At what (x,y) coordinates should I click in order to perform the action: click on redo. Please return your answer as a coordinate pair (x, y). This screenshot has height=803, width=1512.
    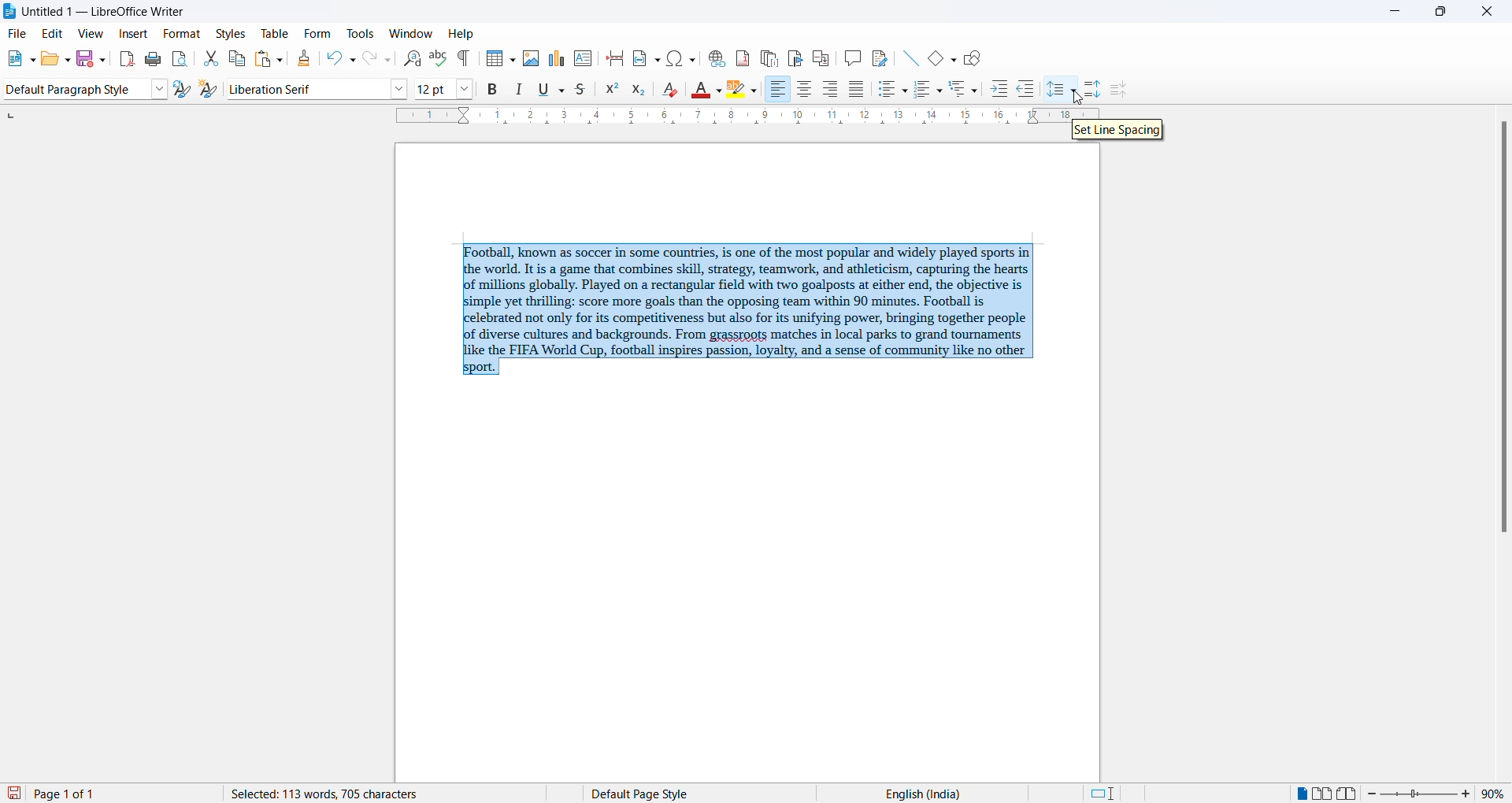
    Looking at the image, I should click on (379, 59).